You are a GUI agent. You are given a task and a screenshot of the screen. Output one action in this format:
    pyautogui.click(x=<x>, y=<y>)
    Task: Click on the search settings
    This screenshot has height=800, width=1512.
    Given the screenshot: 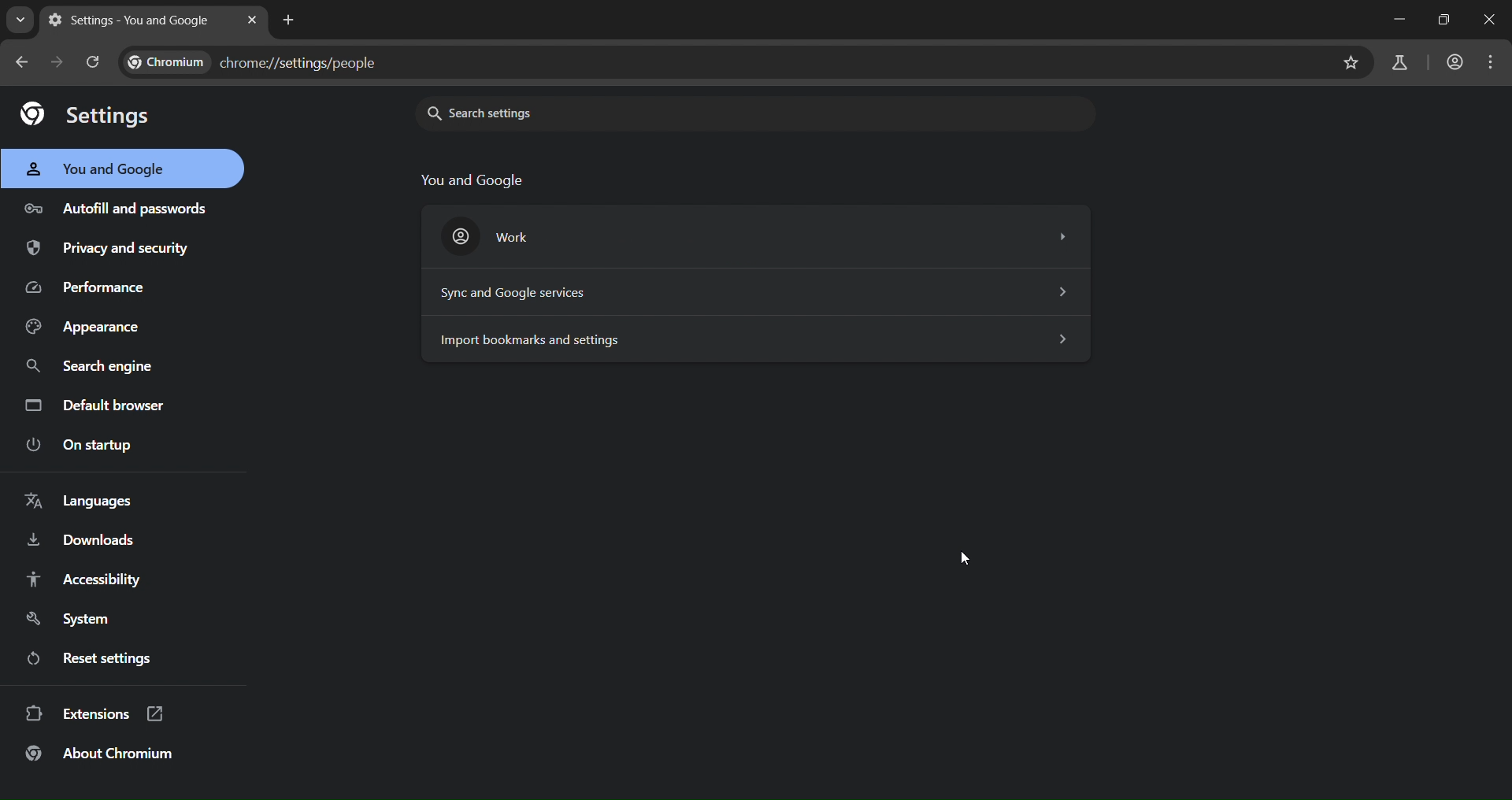 What is the action you would take?
    pyautogui.click(x=543, y=112)
    